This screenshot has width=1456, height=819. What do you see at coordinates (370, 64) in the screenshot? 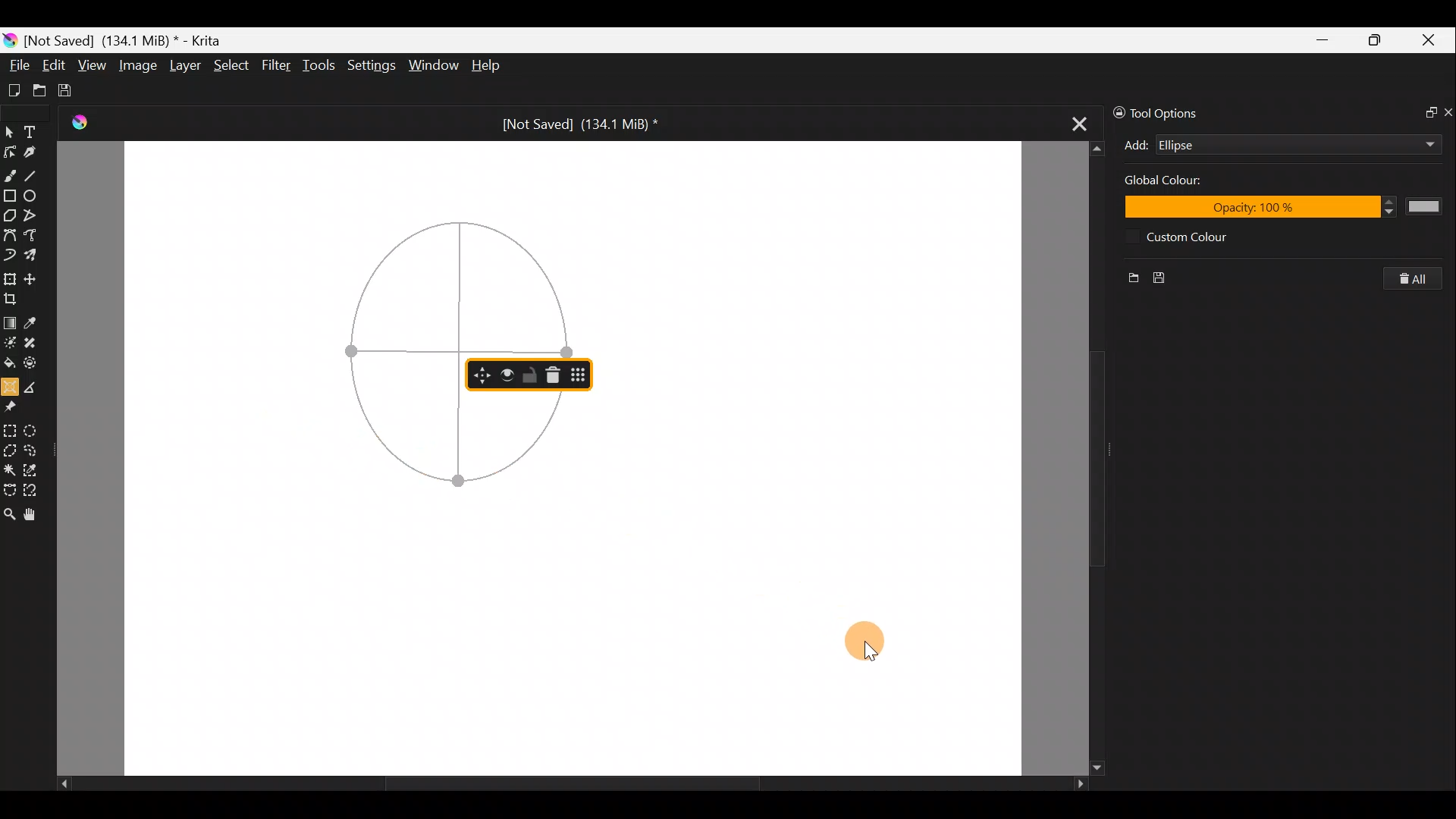
I see `Settings` at bounding box center [370, 64].